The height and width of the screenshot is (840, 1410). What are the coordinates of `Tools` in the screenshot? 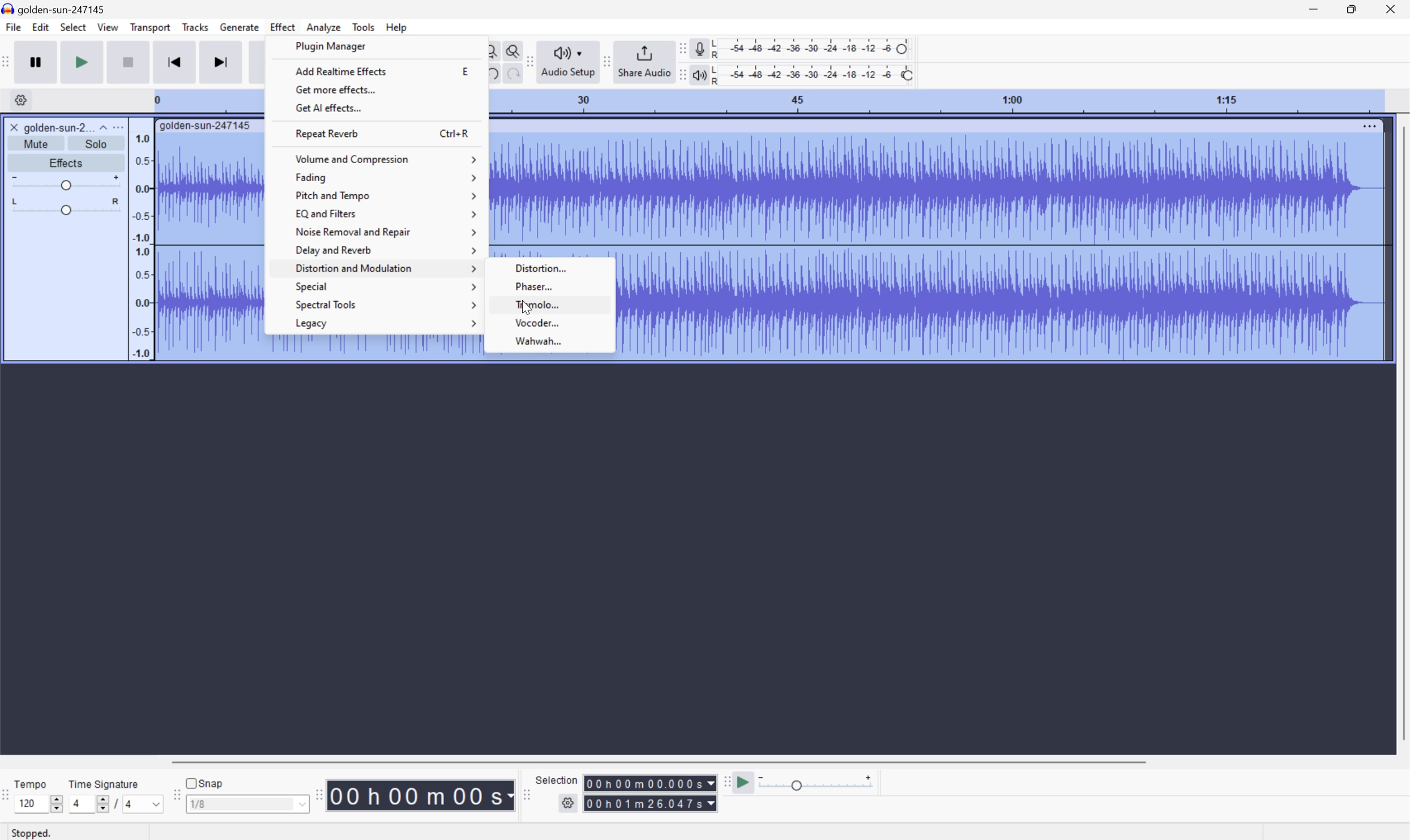 It's located at (363, 25).